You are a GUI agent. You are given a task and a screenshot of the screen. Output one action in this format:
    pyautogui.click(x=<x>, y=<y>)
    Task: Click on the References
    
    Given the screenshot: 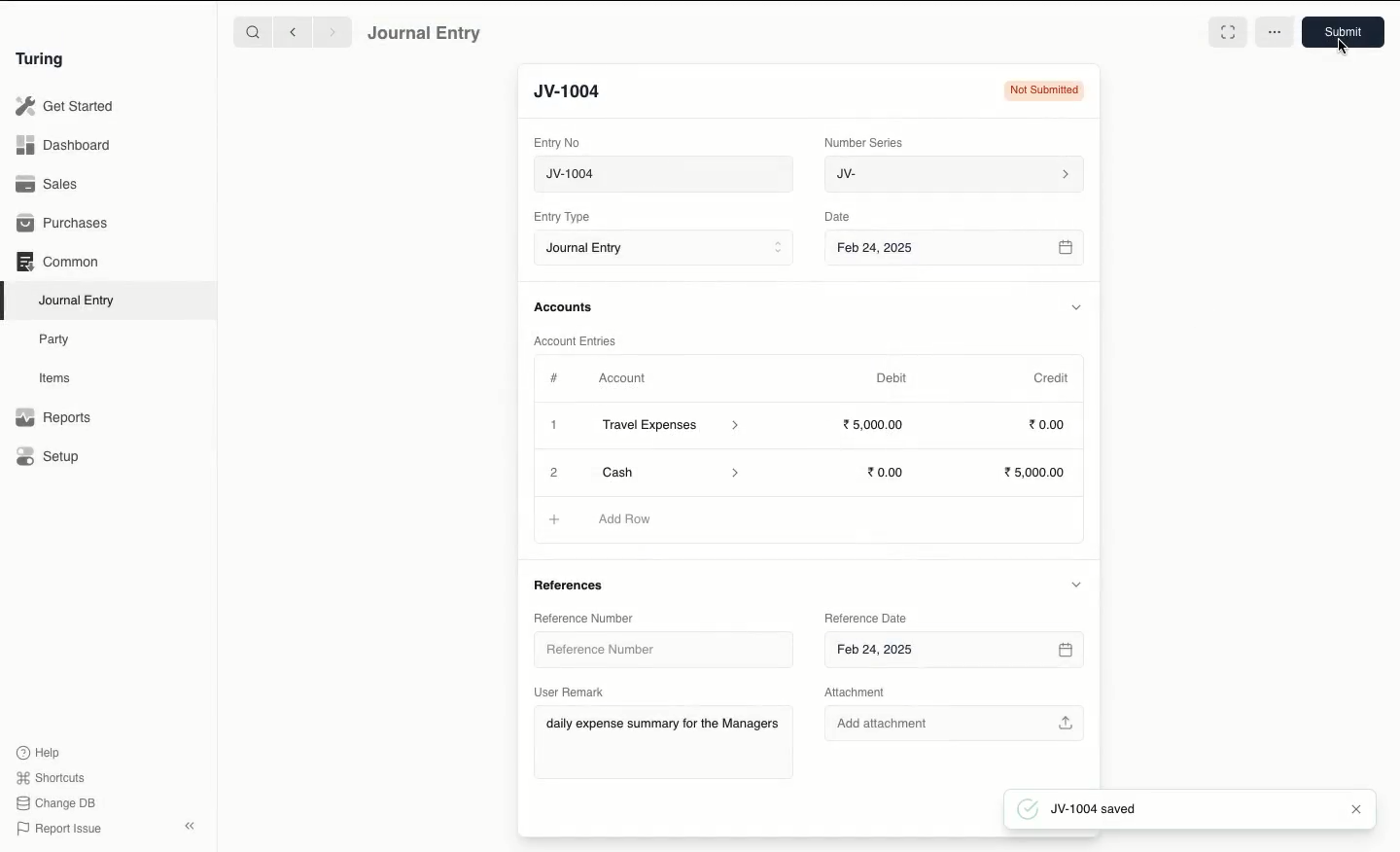 What is the action you would take?
    pyautogui.click(x=576, y=584)
    